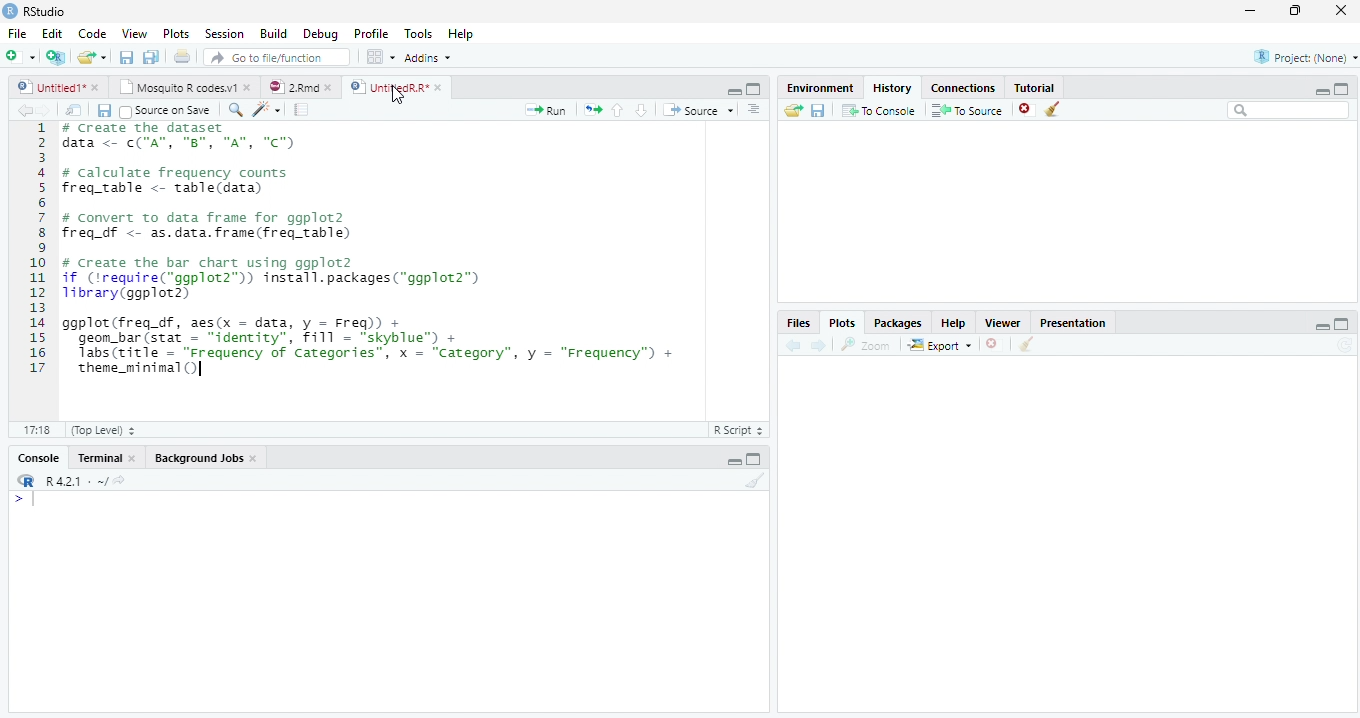 The height and width of the screenshot is (718, 1360). What do you see at coordinates (224, 35) in the screenshot?
I see `Session` at bounding box center [224, 35].